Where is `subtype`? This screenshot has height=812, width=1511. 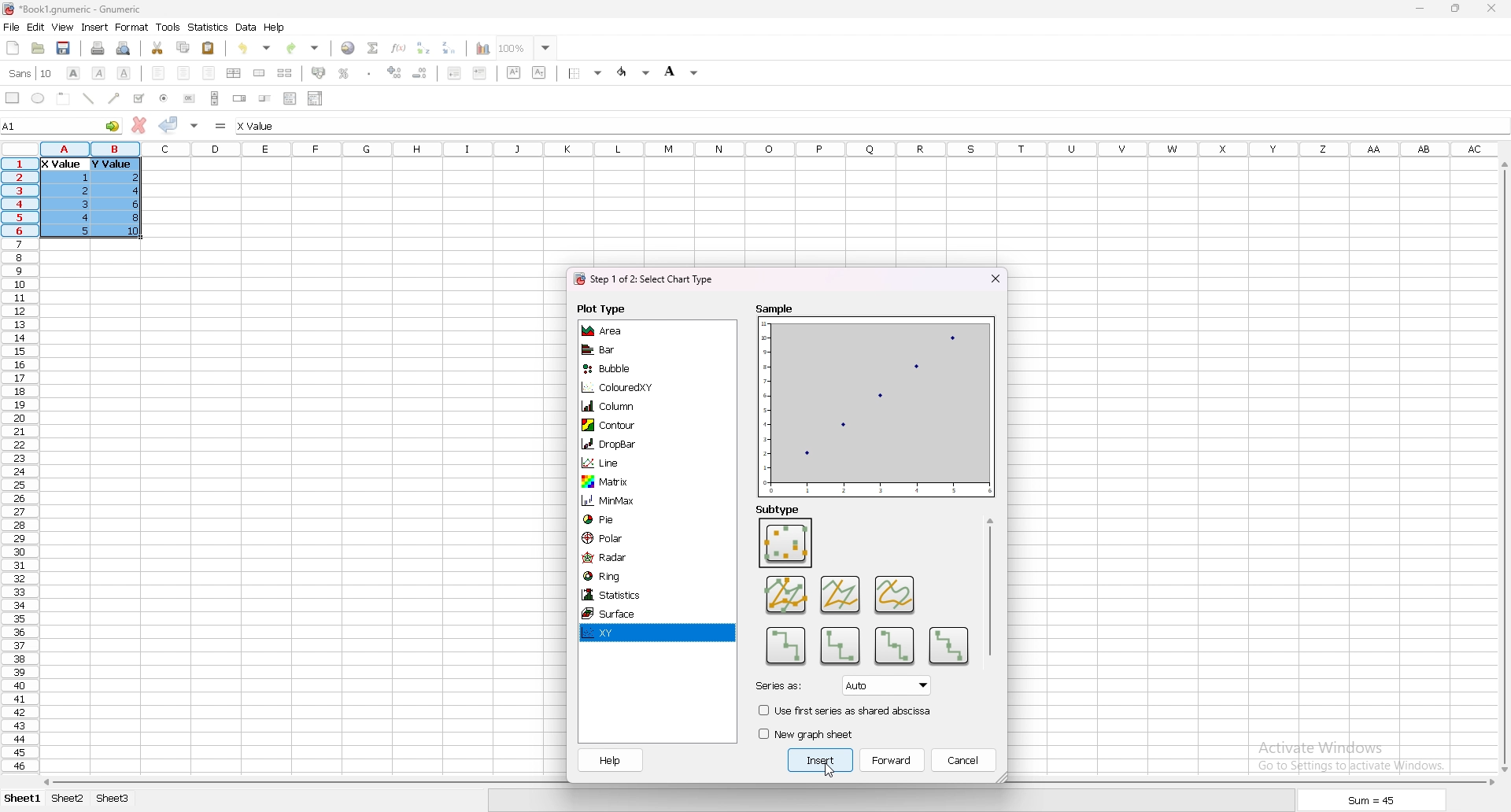
subtype is located at coordinates (896, 594).